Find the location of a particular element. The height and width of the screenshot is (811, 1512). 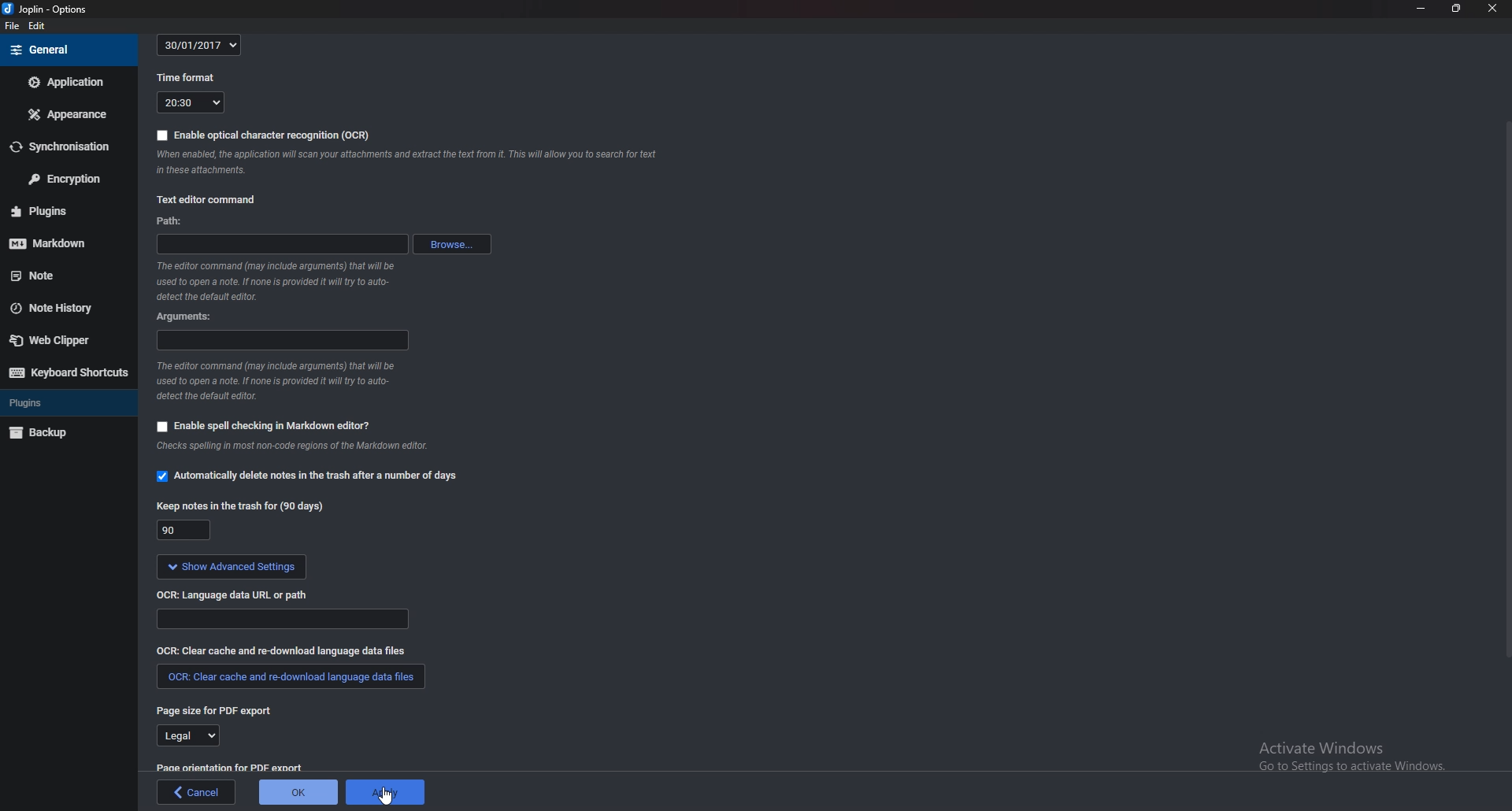

Info is located at coordinates (410, 161).